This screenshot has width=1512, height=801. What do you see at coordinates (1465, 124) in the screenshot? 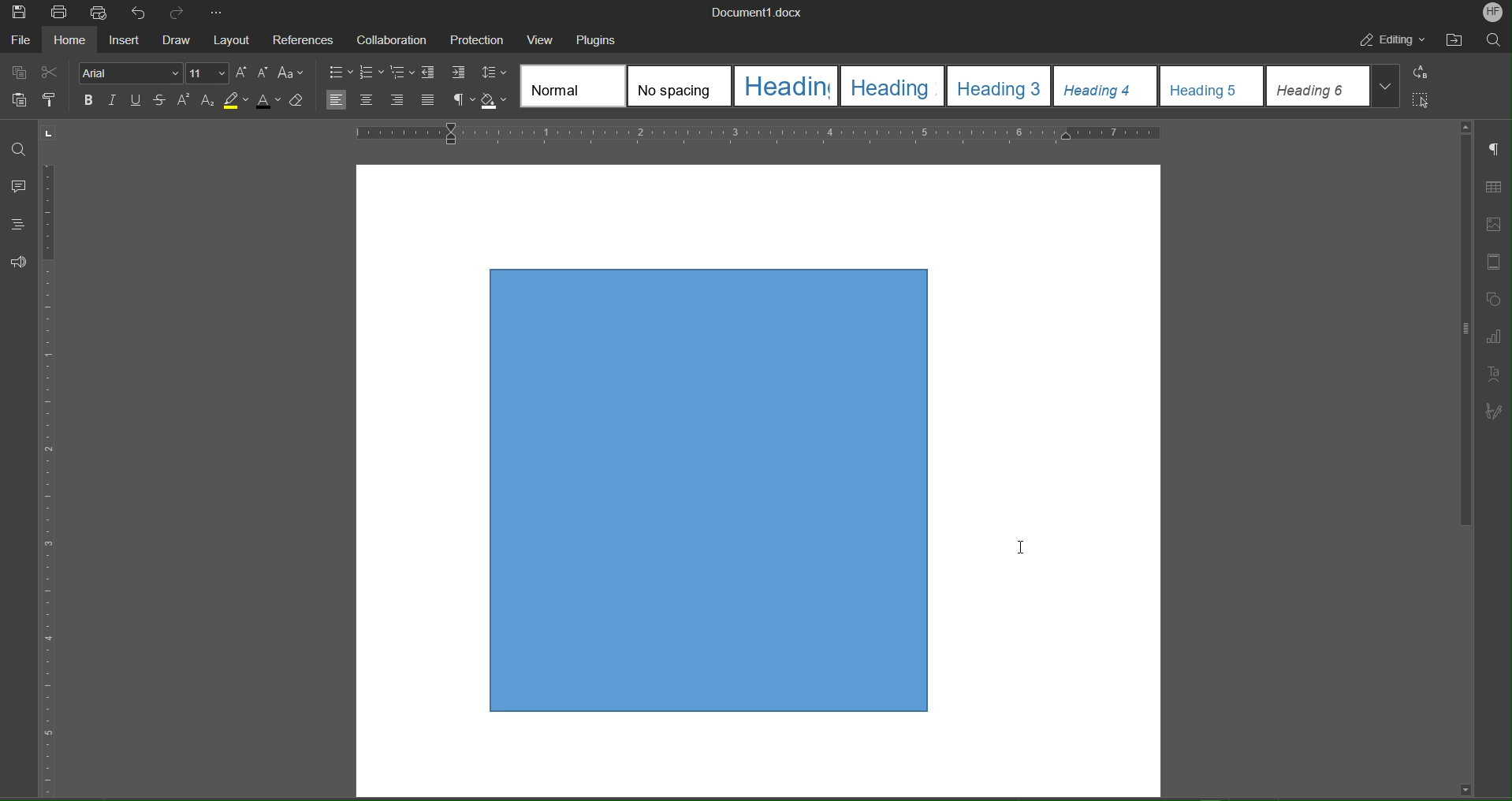
I see `Scroll up` at bounding box center [1465, 124].